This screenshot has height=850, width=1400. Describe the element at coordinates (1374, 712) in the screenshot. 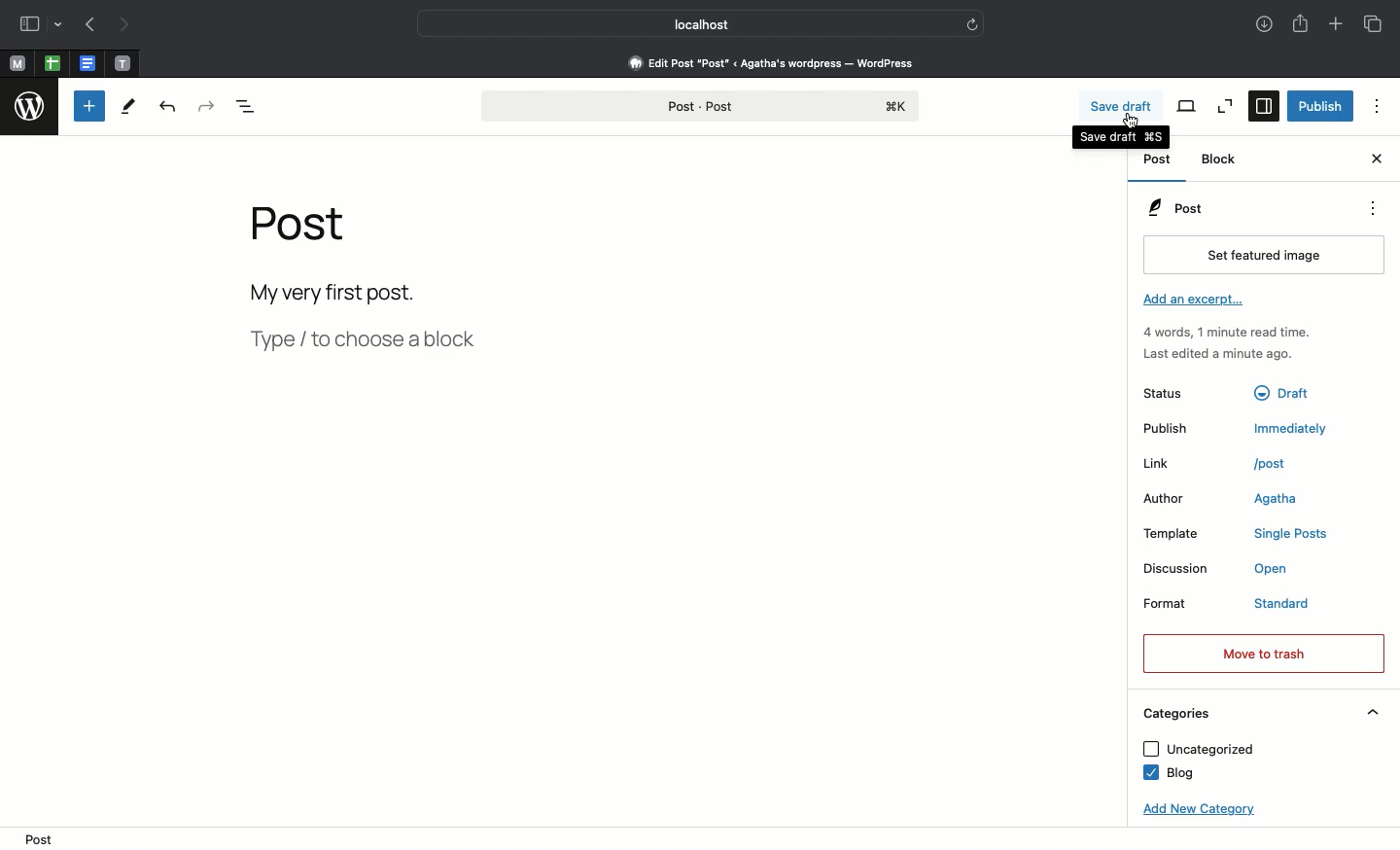

I see `Hide` at that location.